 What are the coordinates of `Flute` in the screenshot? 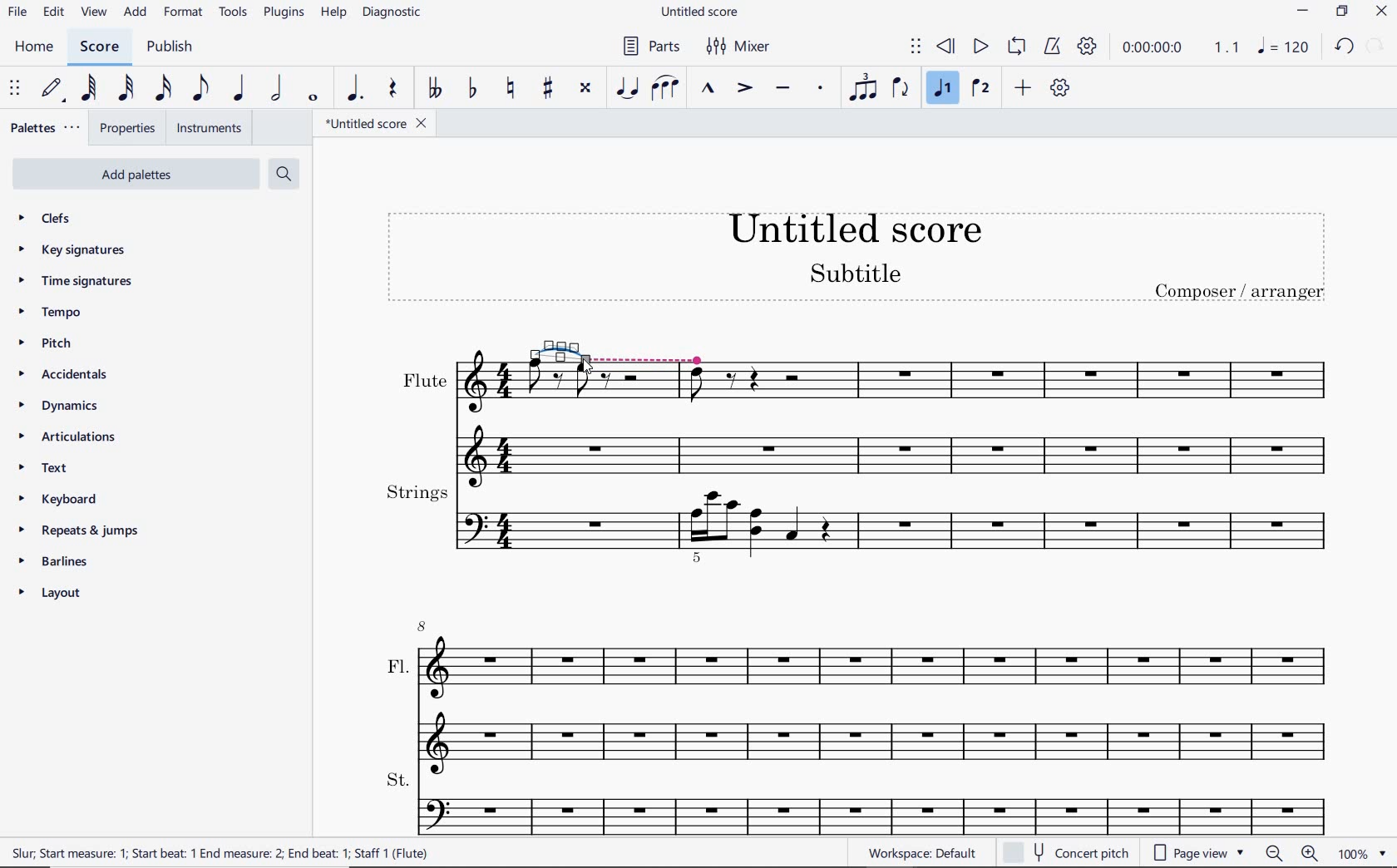 It's located at (1028, 410).